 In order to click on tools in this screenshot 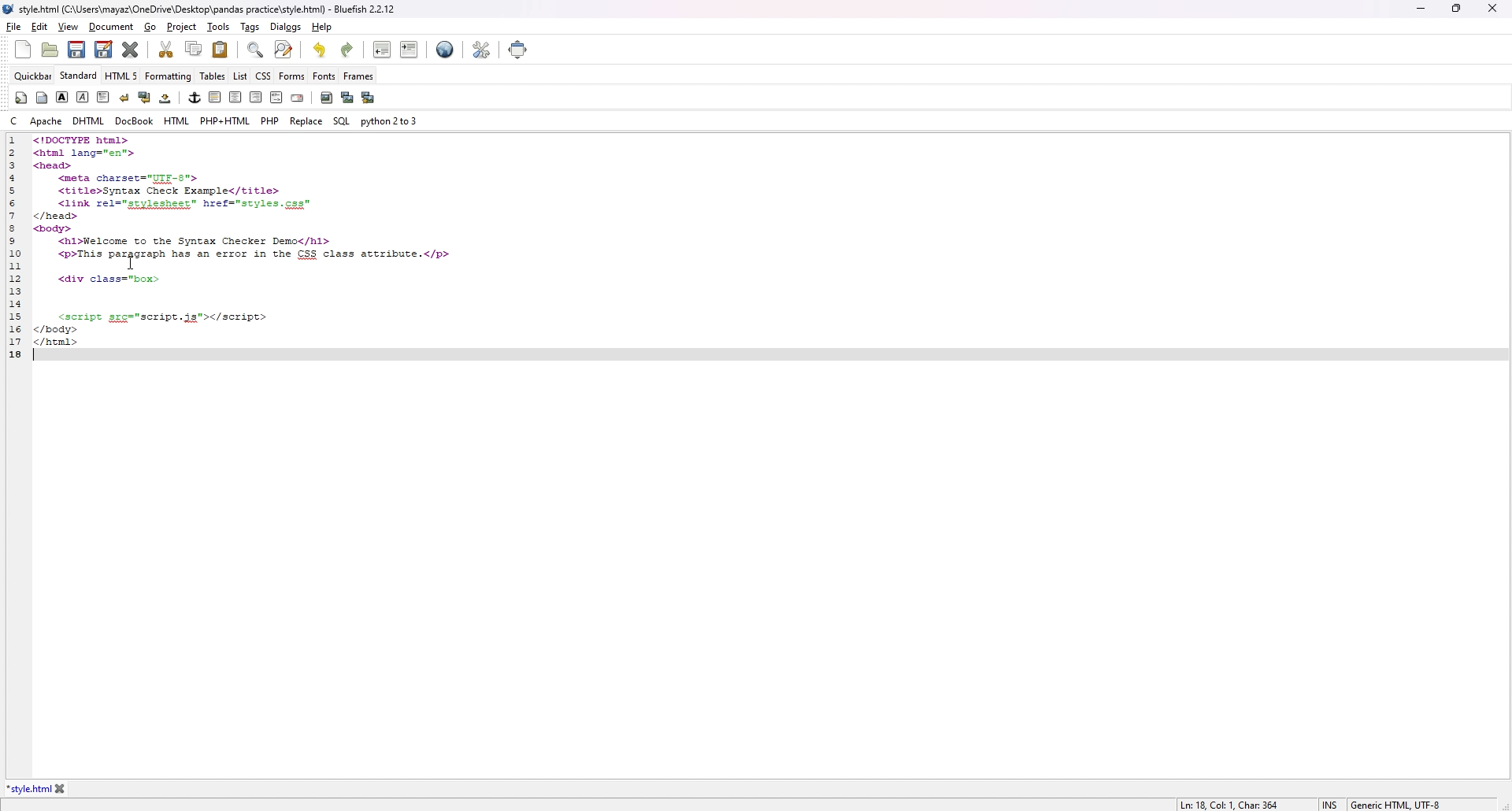, I will do `click(219, 28)`.